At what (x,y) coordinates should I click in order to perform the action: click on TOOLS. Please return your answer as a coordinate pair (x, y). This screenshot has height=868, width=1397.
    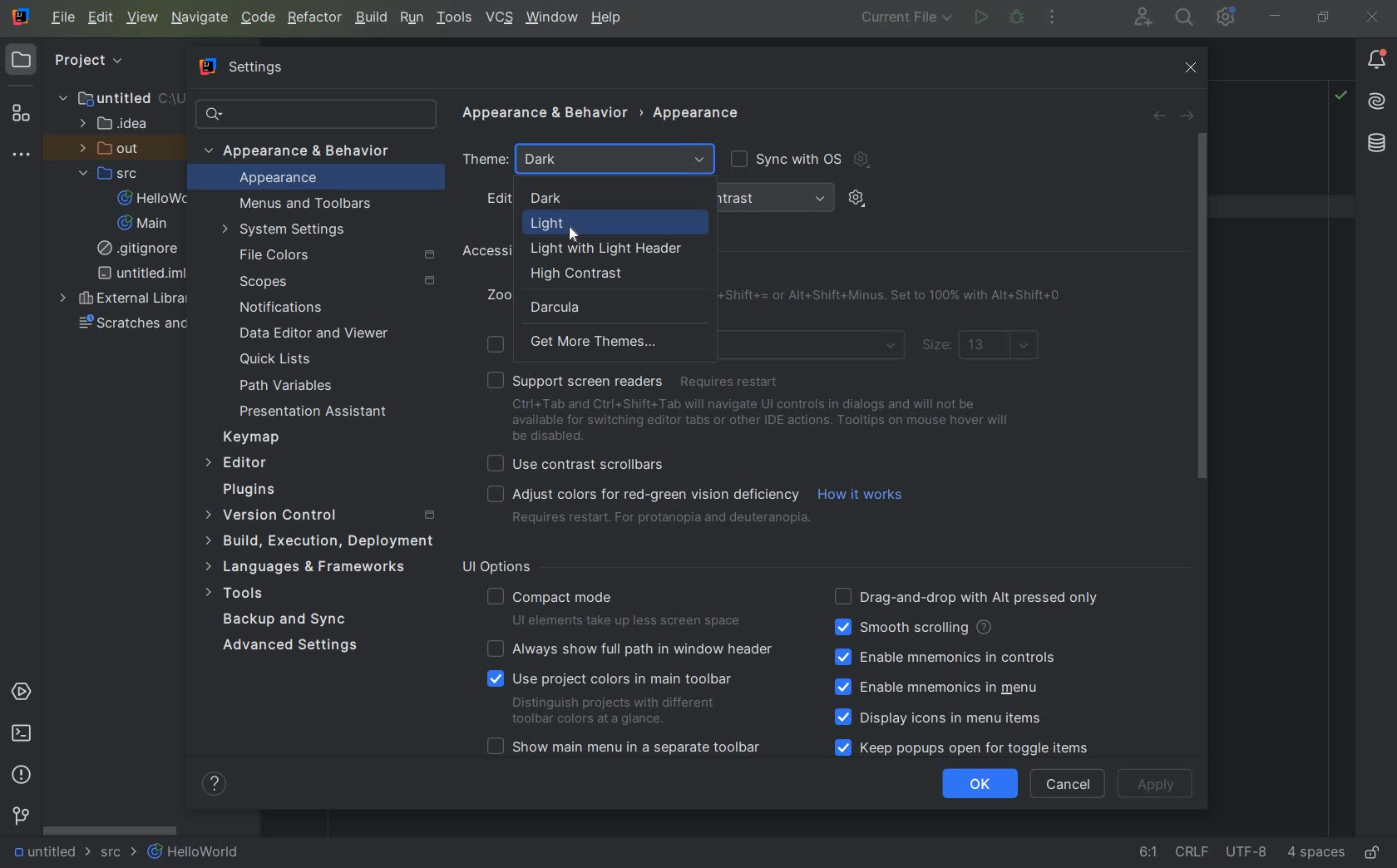
    Looking at the image, I should click on (454, 18).